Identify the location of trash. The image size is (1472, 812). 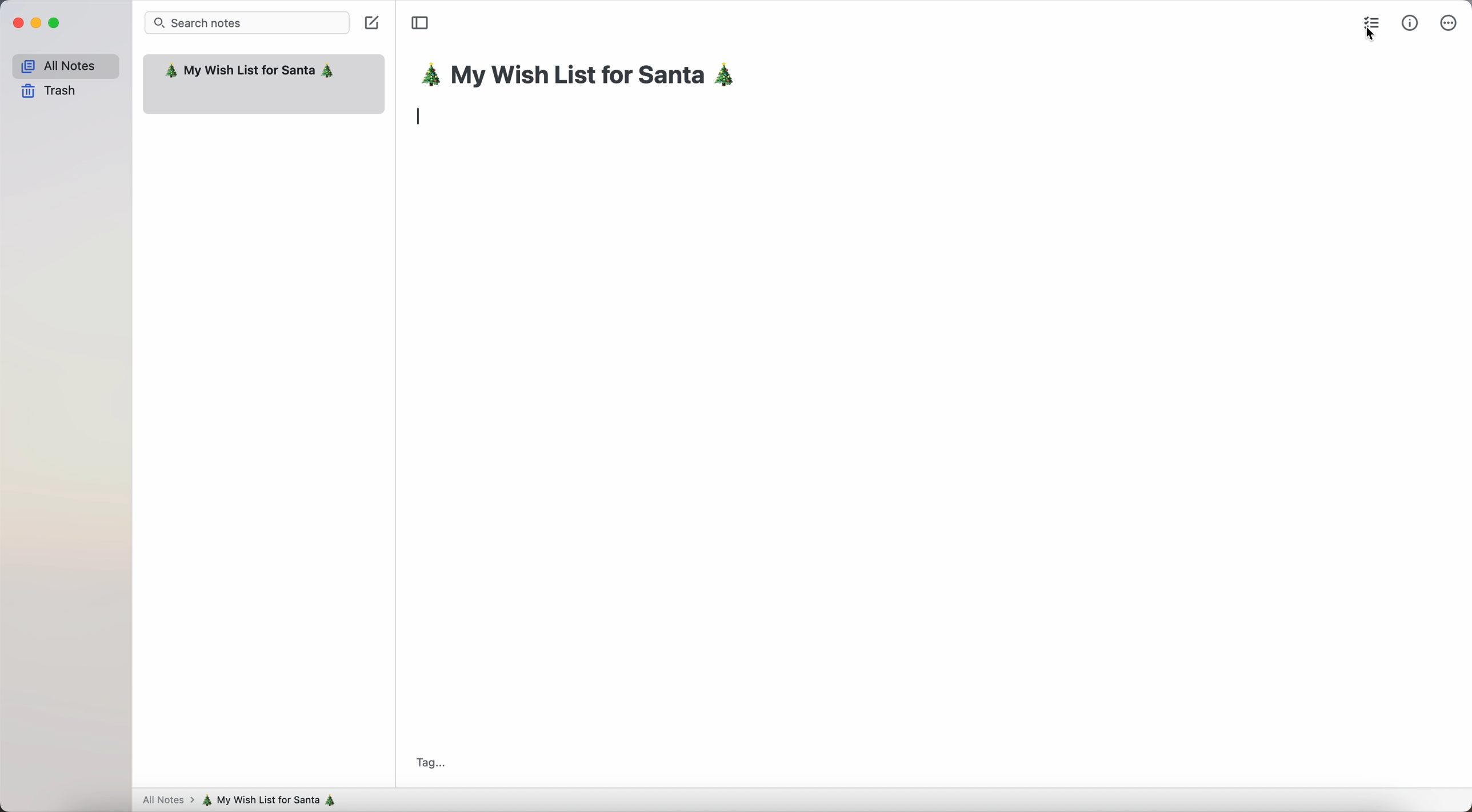
(50, 92).